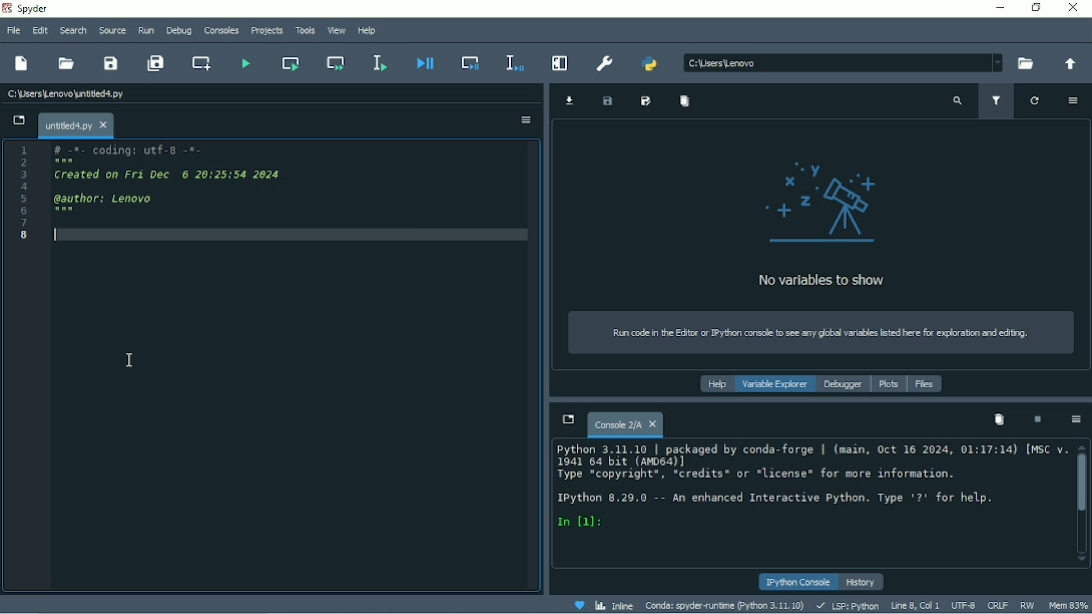 This screenshot has height=614, width=1092. Describe the element at coordinates (1034, 418) in the screenshot. I see `Interrupt kernel` at that location.